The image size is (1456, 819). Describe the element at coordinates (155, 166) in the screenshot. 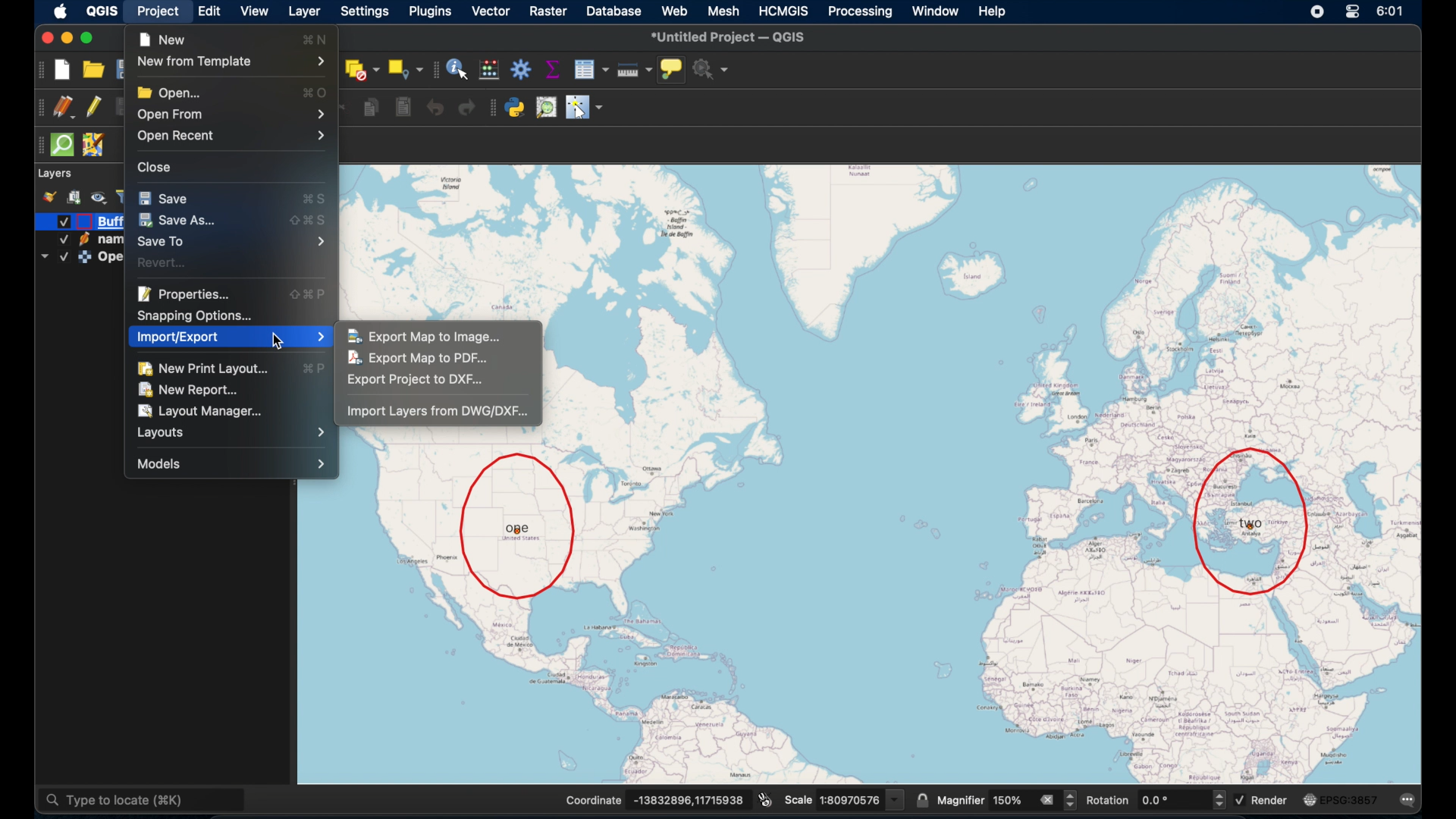

I see `close` at that location.